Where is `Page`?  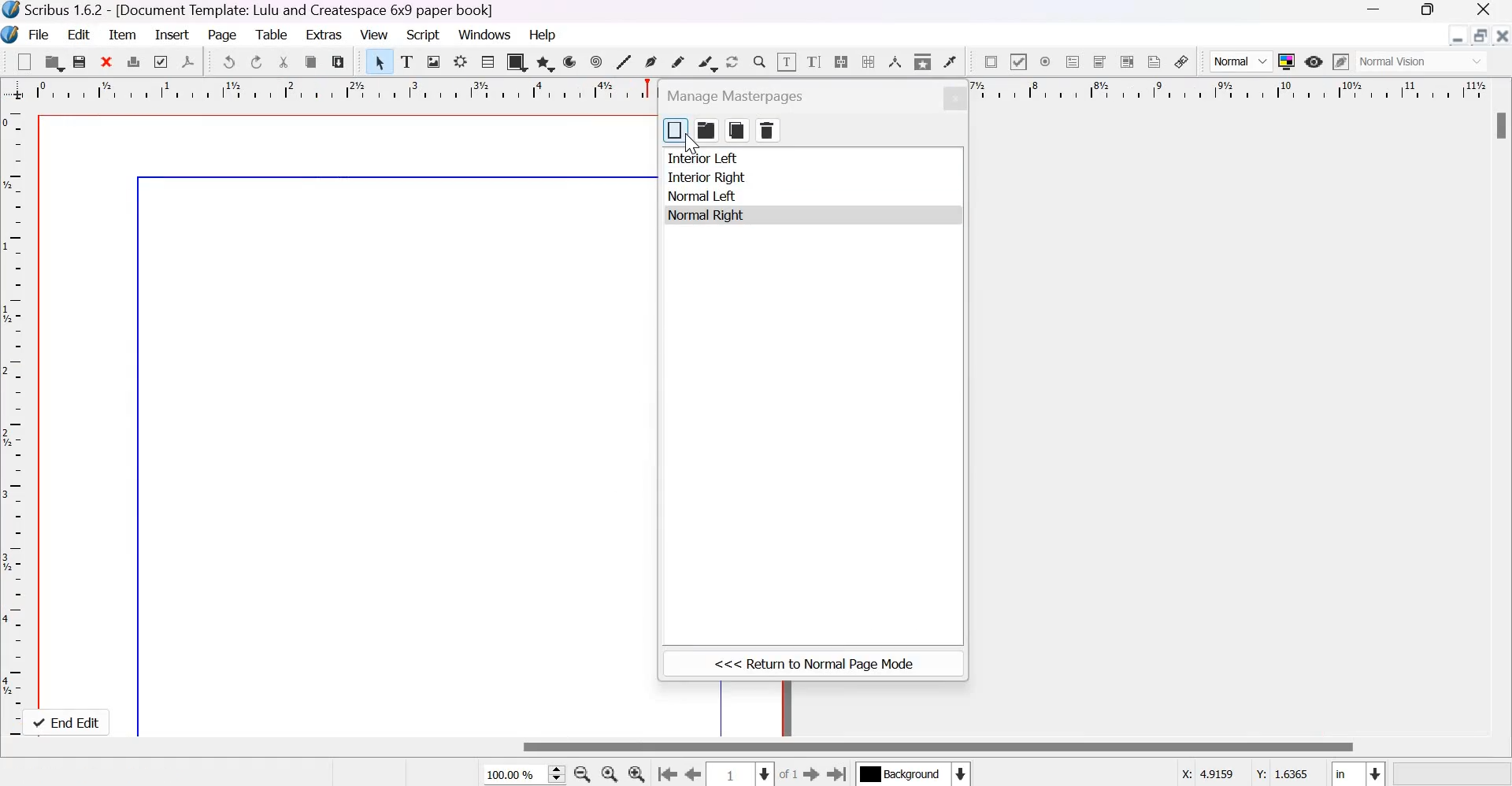
Page is located at coordinates (222, 35).